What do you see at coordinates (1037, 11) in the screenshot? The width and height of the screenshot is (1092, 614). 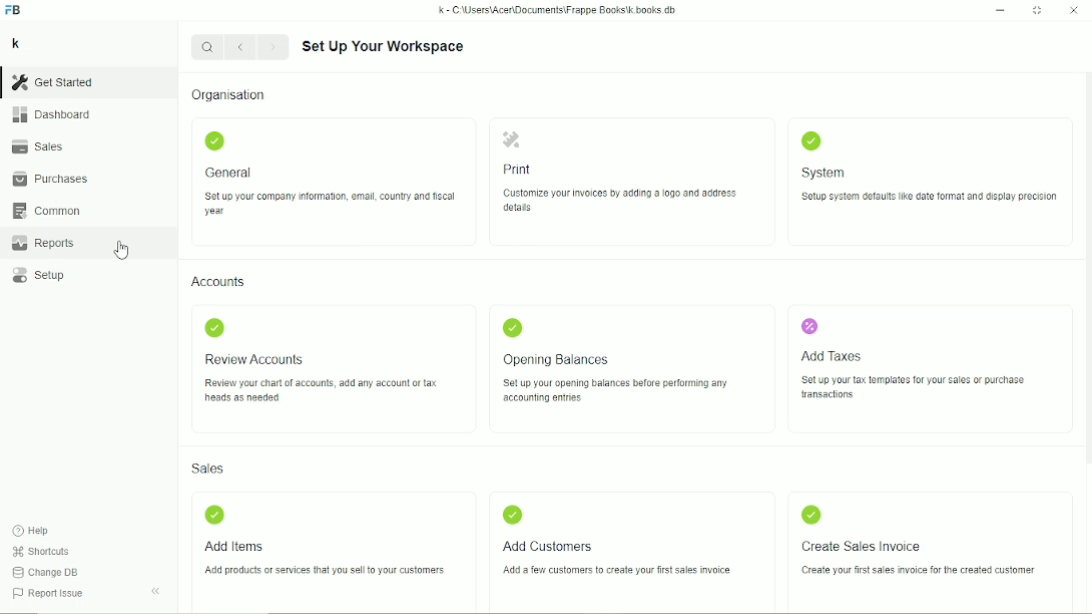 I see `Toggle between form and full width` at bounding box center [1037, 11].